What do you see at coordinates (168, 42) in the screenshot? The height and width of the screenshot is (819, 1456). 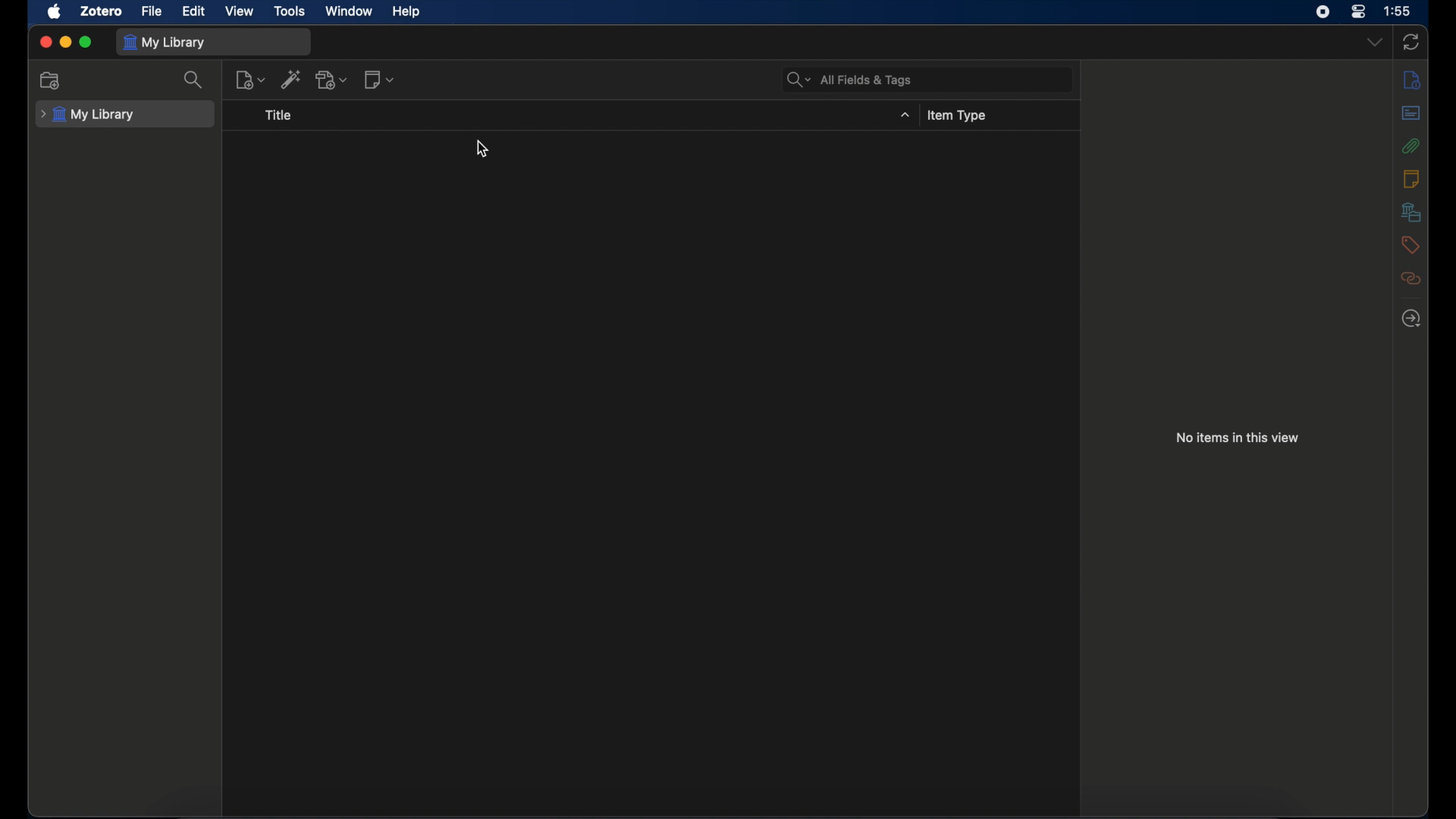 I see `my library` at bounding box center [168, 42].